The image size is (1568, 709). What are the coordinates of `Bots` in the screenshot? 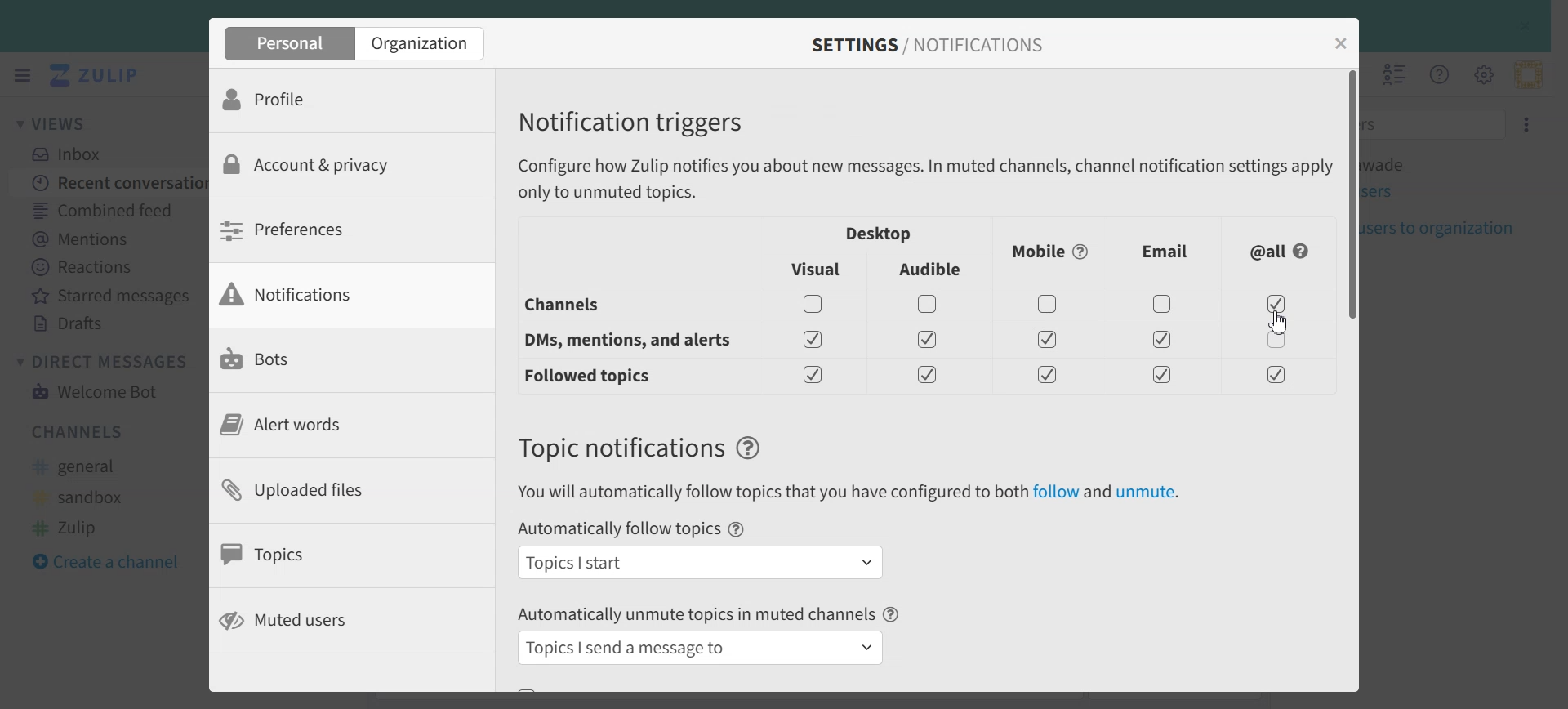 It's located at (332, 359).